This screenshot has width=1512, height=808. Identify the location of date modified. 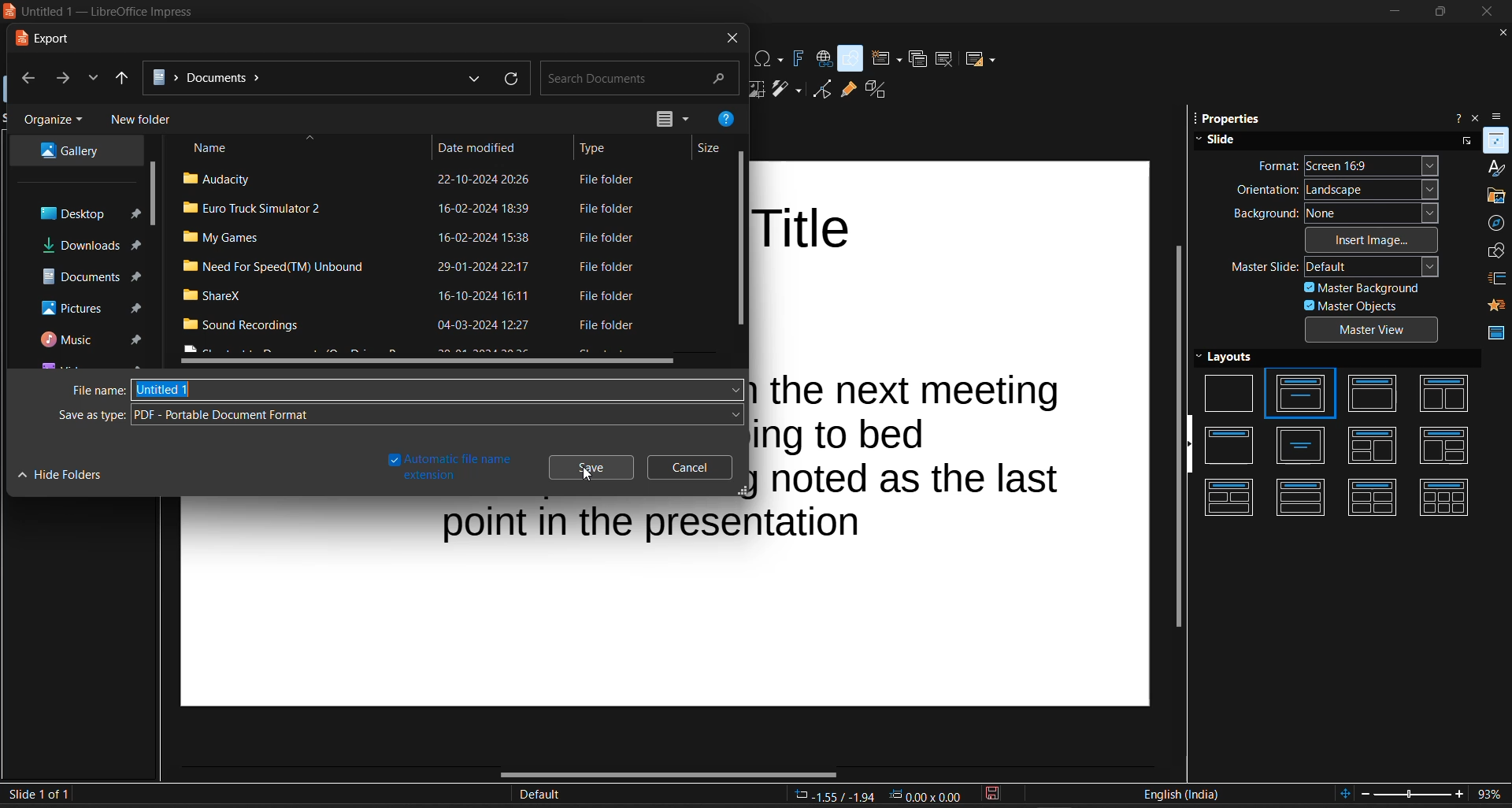
(479, 146).